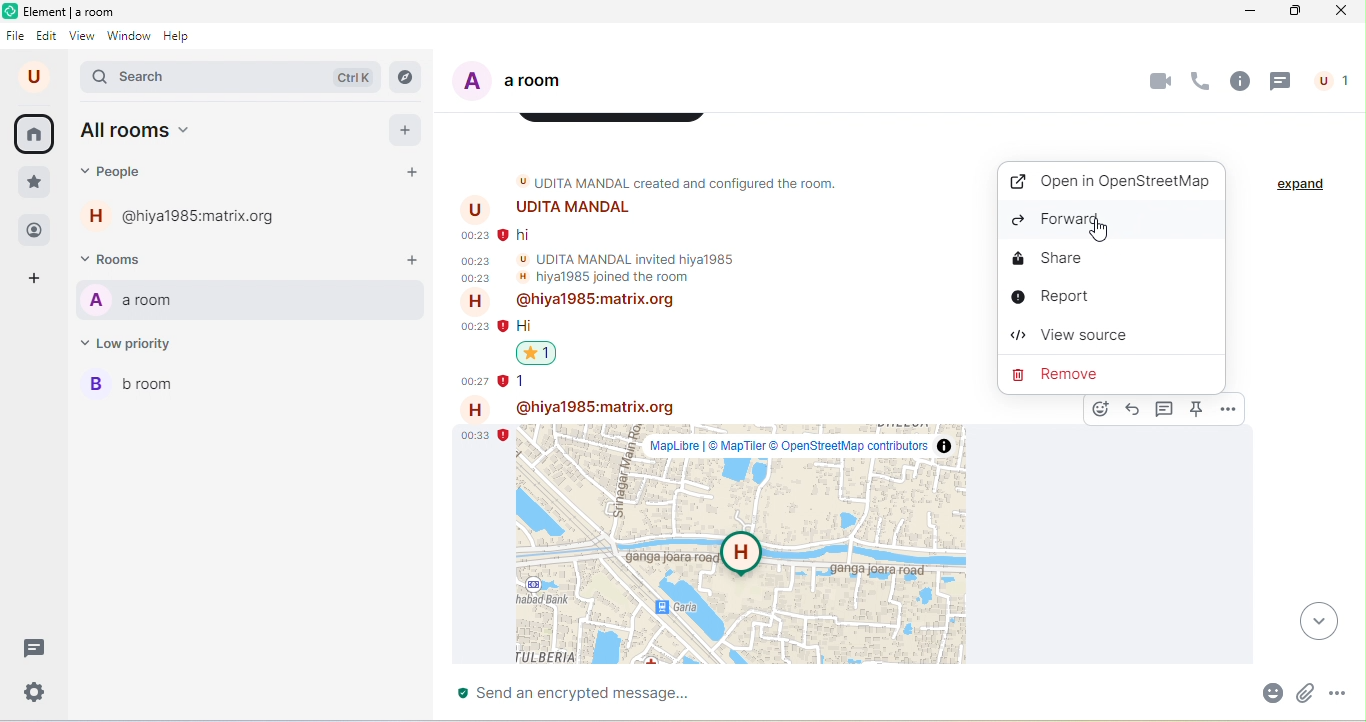 The width and height of the screenshot is (1366, 722). What do you see at coordinates (1301, 185) in the screenshot?
I see `expand` at bounding box center [1301, 185].